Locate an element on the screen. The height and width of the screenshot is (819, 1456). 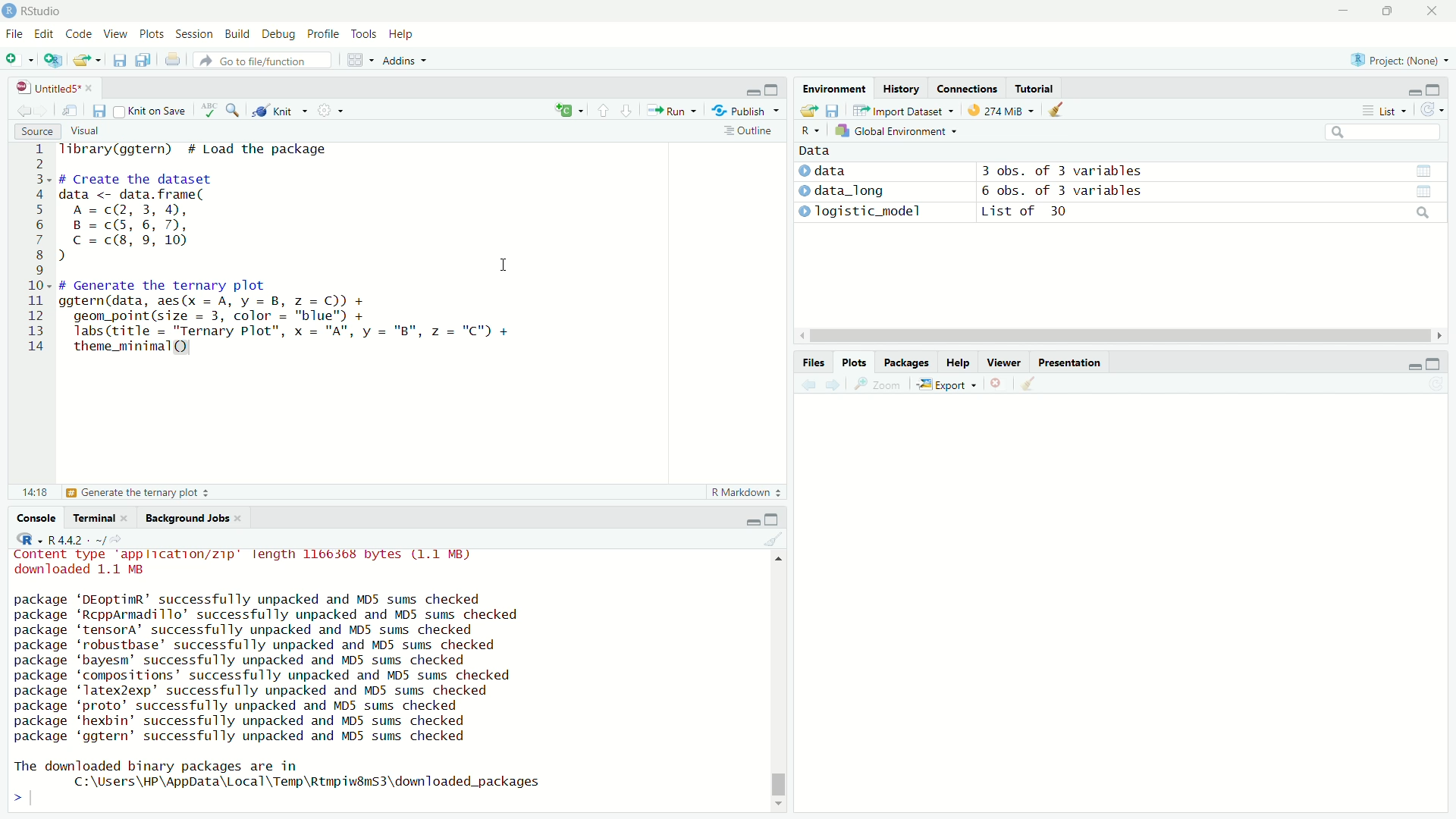
Tools is located at coordinates (363, 33).